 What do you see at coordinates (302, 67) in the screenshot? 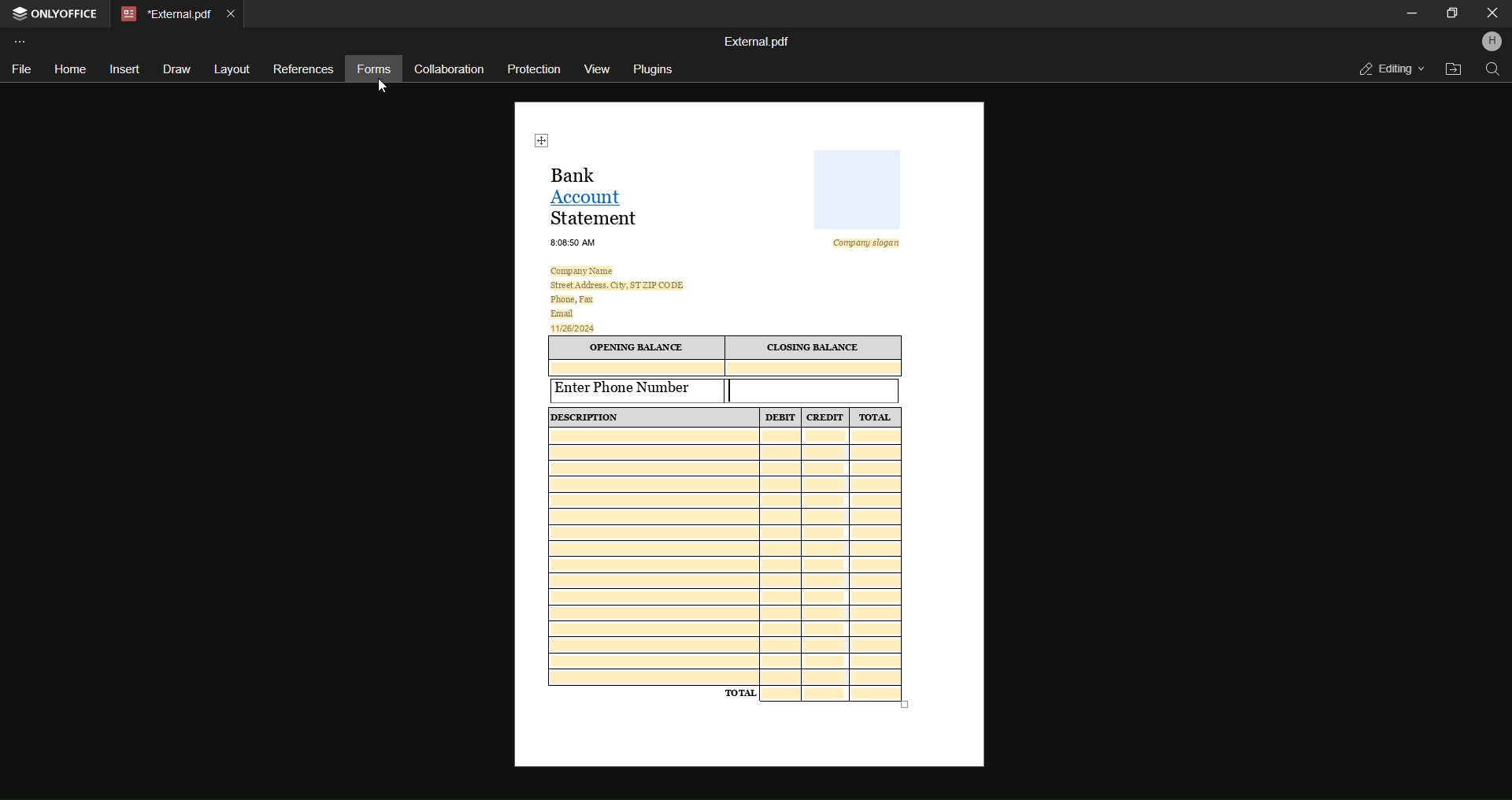
I see `references` at bounding box center [302, 67].